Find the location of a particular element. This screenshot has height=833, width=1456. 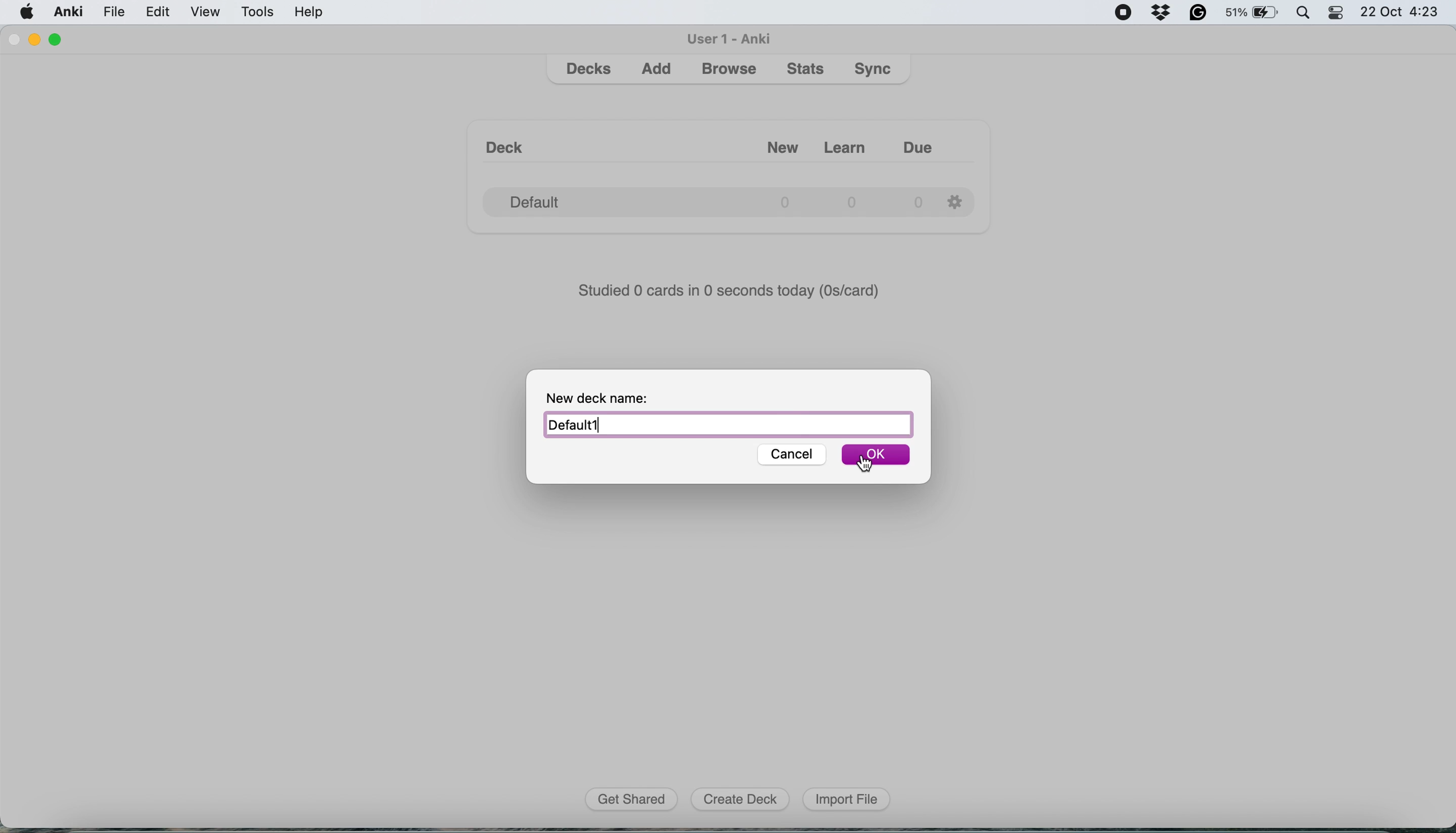

control center is located at coordinates (1339, 15).